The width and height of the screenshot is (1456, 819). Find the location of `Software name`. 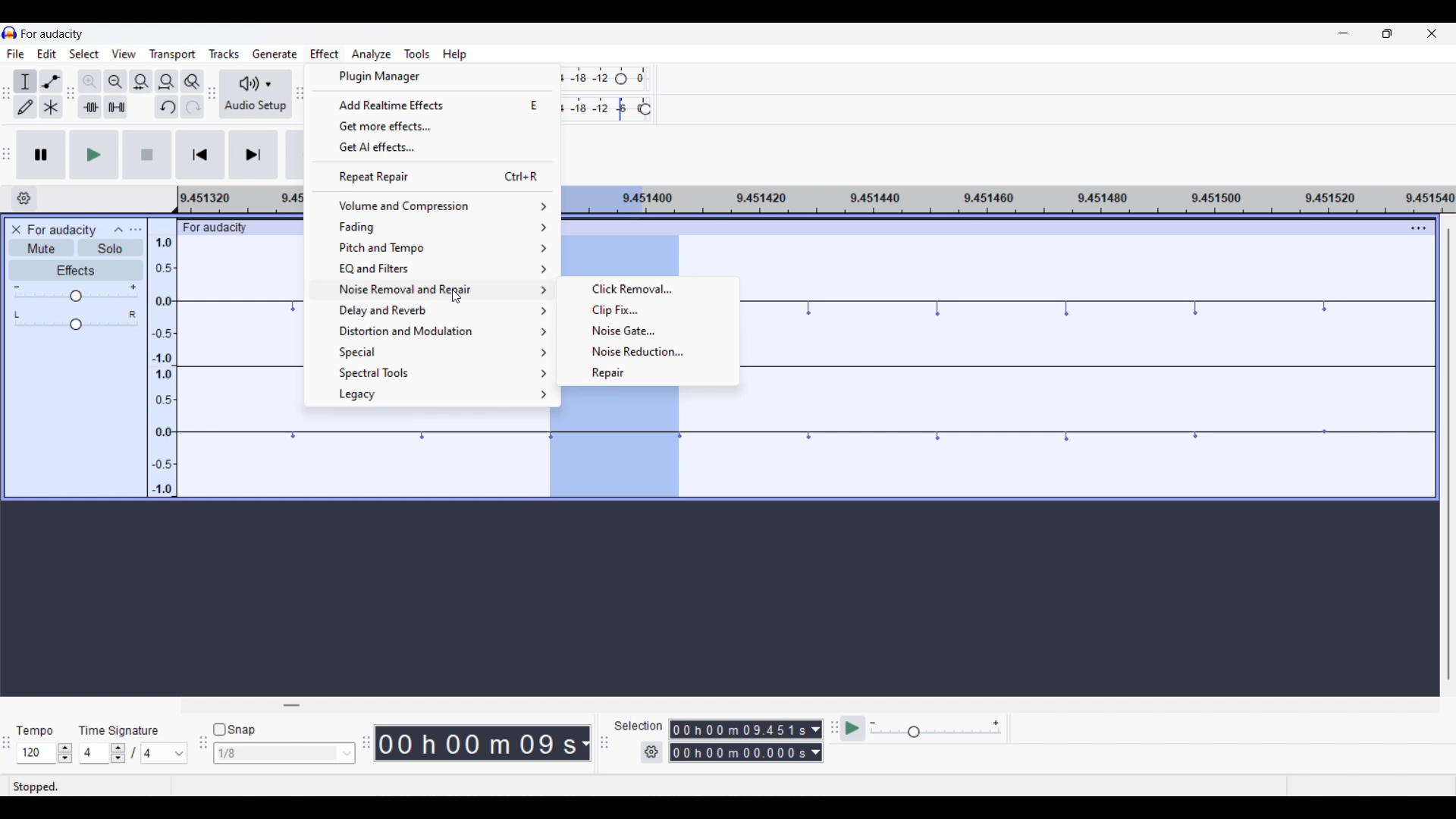

Software name is located at coordinates (52, 34).